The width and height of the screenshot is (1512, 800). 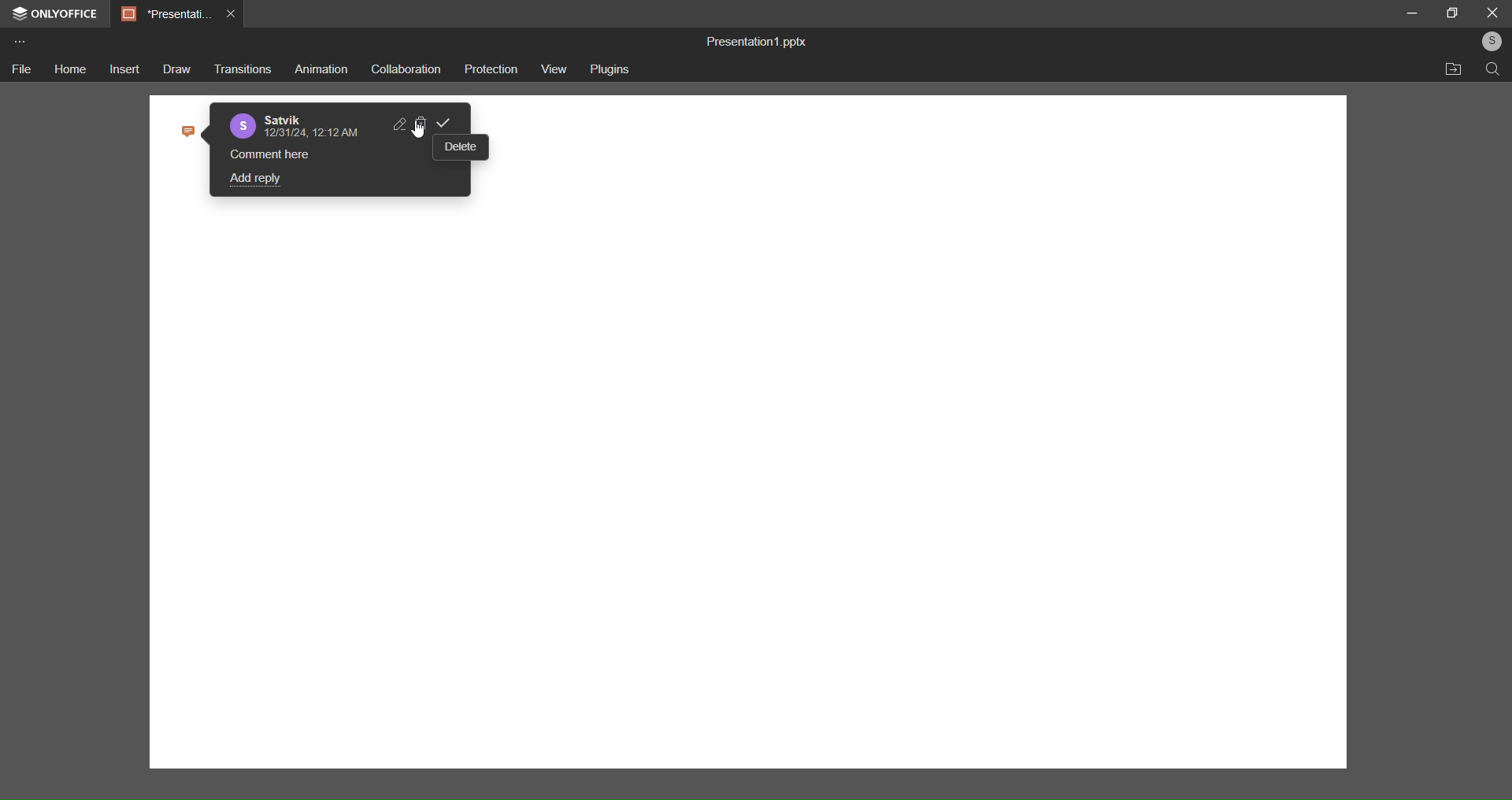 What do you see at coordinates (289, 116) in the screenshot?
I see `name` at bounding box center [289, 116].